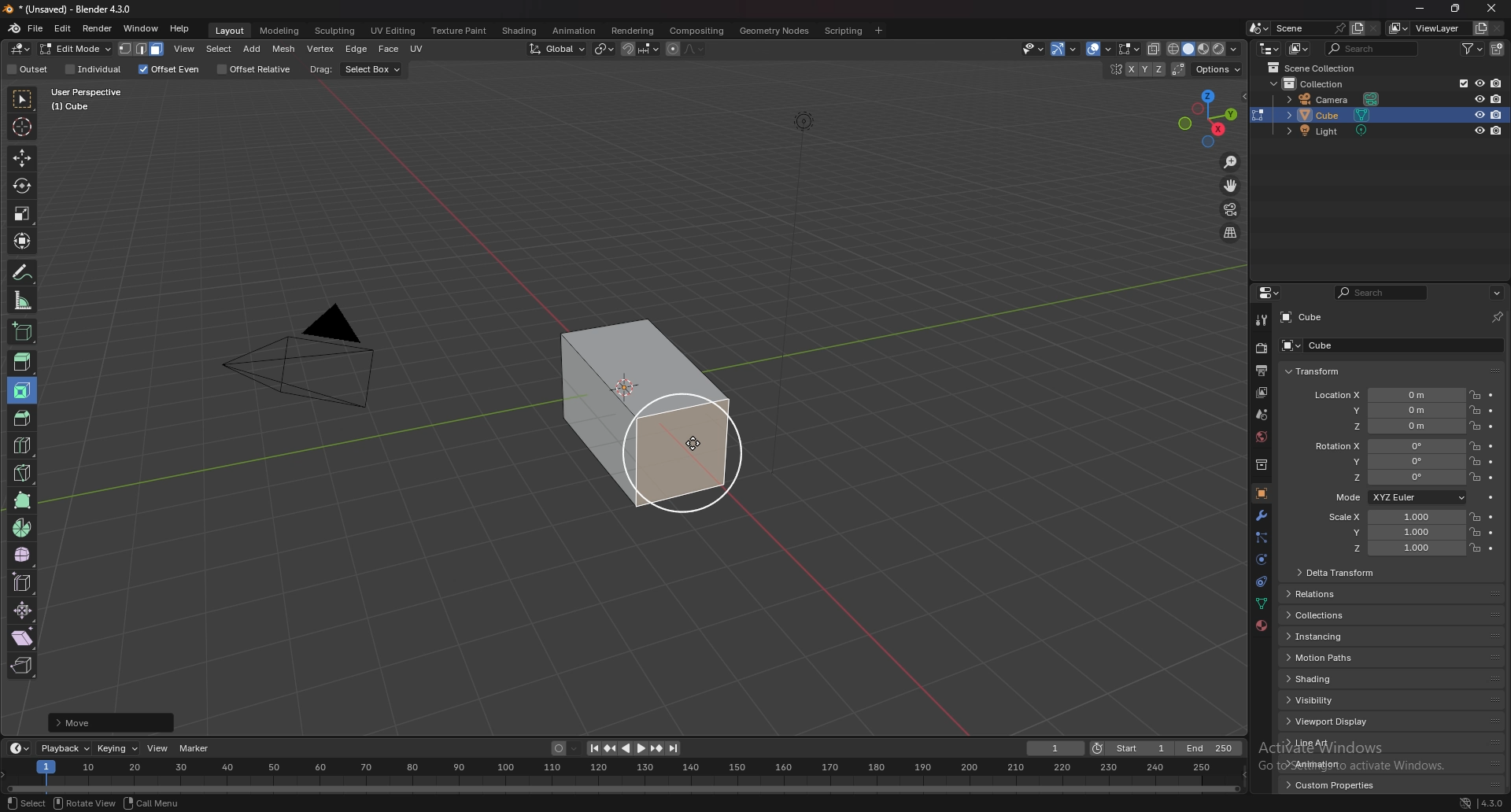  Describe the element at coordinates (118, 748) in the screenshot. I see `keying` at that location.